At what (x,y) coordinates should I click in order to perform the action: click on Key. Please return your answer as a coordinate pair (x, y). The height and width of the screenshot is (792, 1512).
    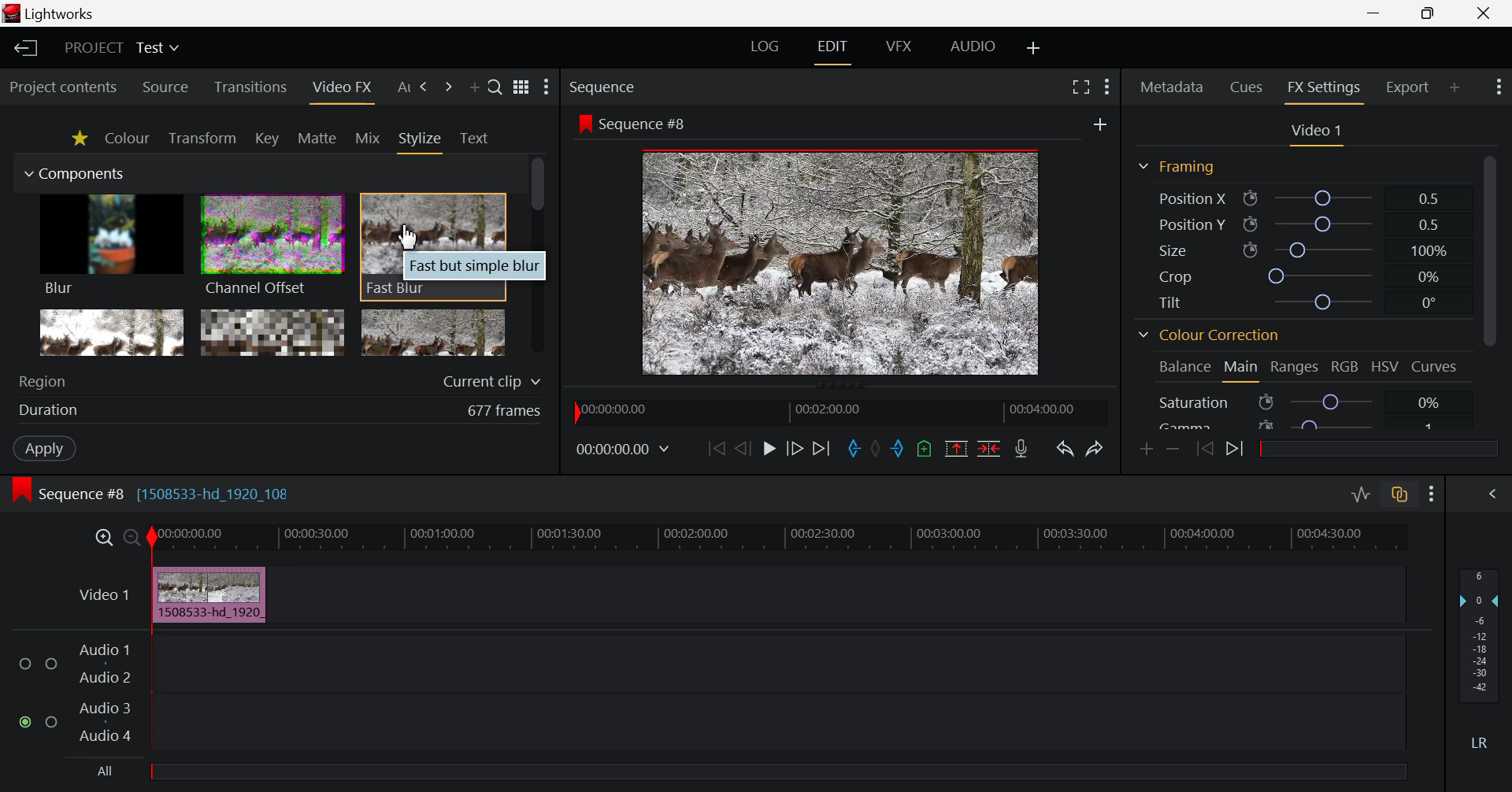
    Looking at the image, I should click on (266, 139).